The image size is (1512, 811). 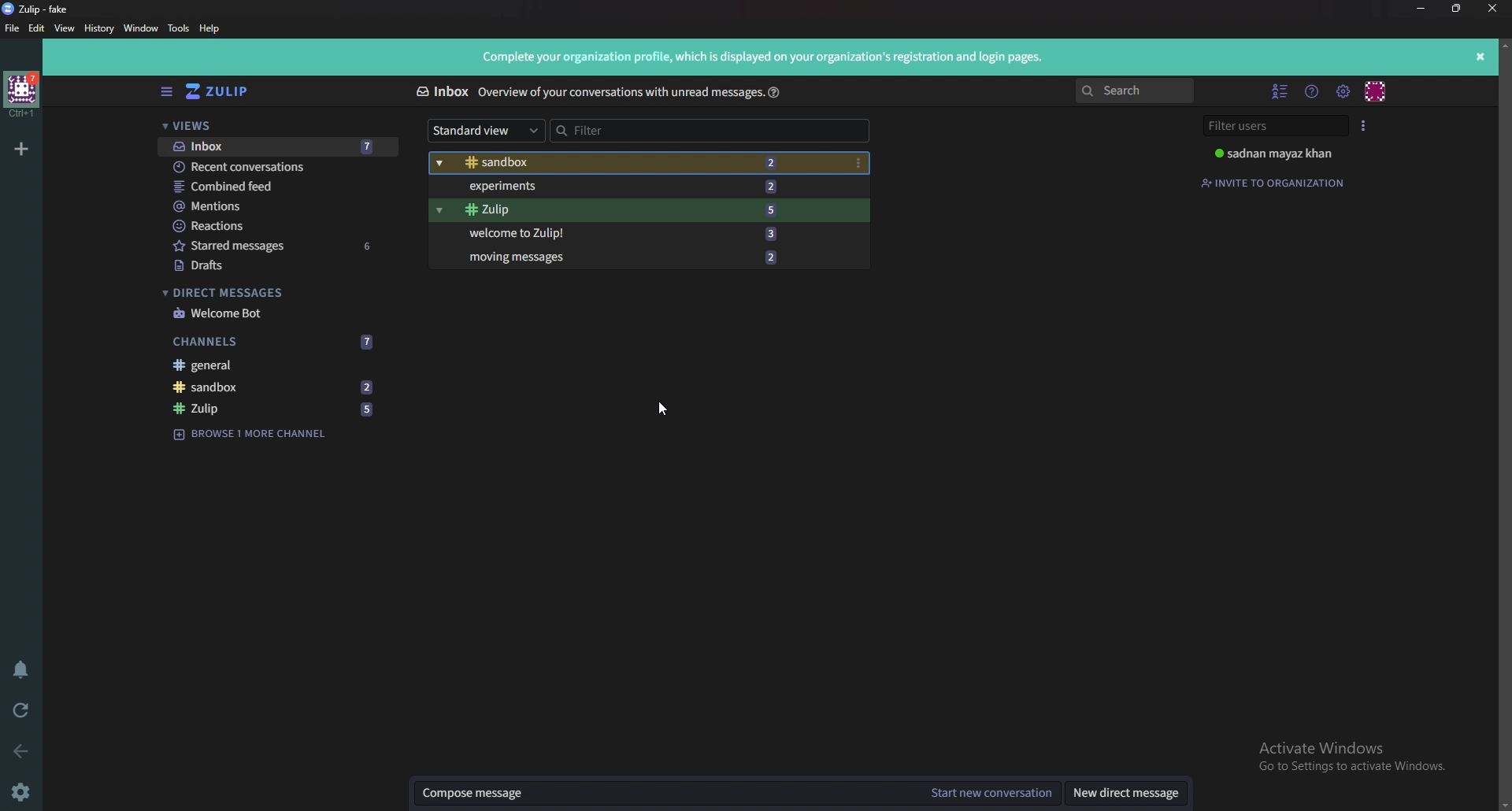 What do you see at coordinates (20, 711) in the screenshot?
I see `Reload` at bounding box center [20, 711].